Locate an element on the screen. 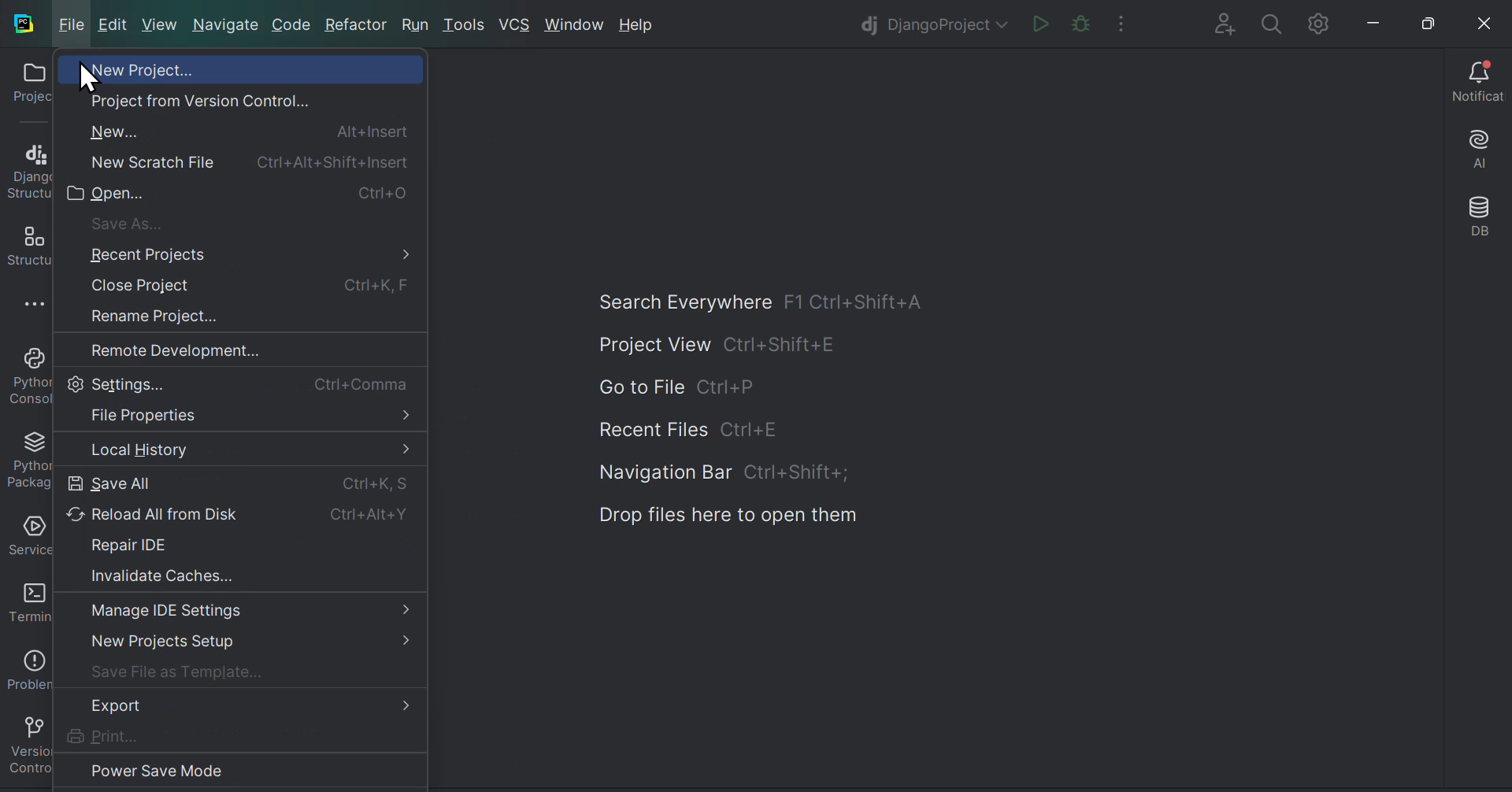 This screenshot has height=792, width=1512. Settings is located at coordinates (249, 384).